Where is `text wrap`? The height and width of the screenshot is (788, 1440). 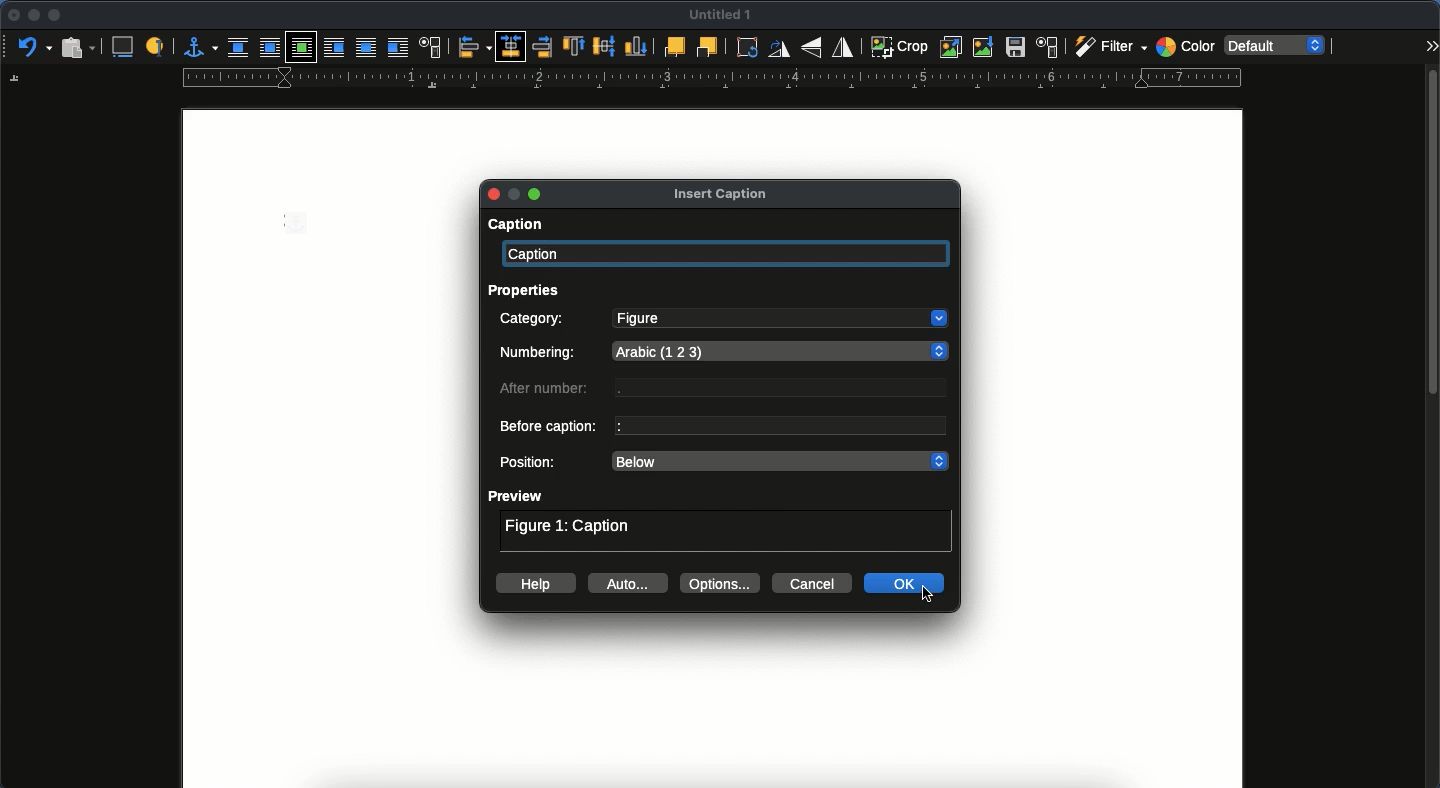 text wrap is located at coordinates (431, 47).